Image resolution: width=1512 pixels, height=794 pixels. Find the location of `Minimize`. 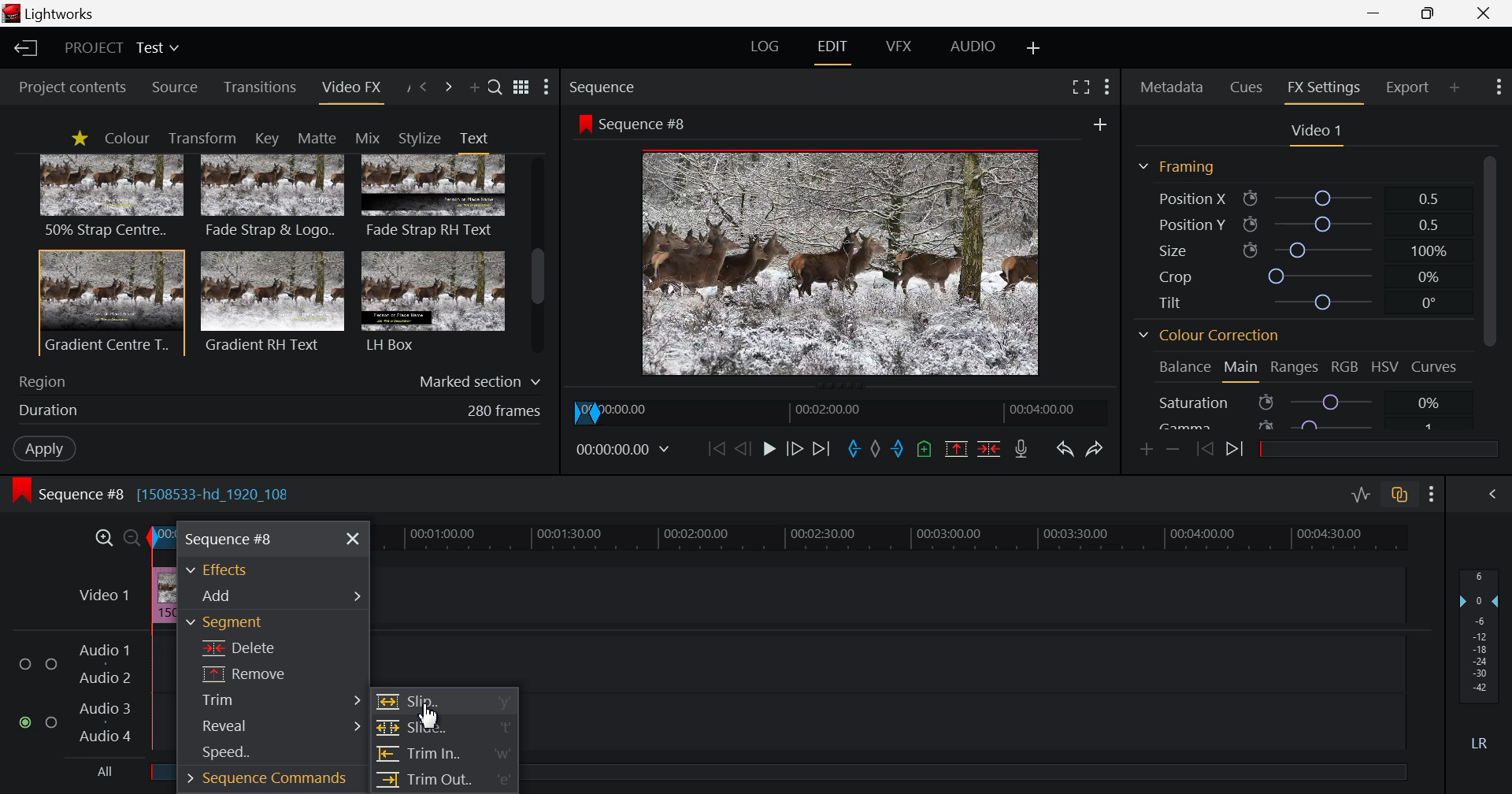

Minimize is located at coordinates (1432, 14).